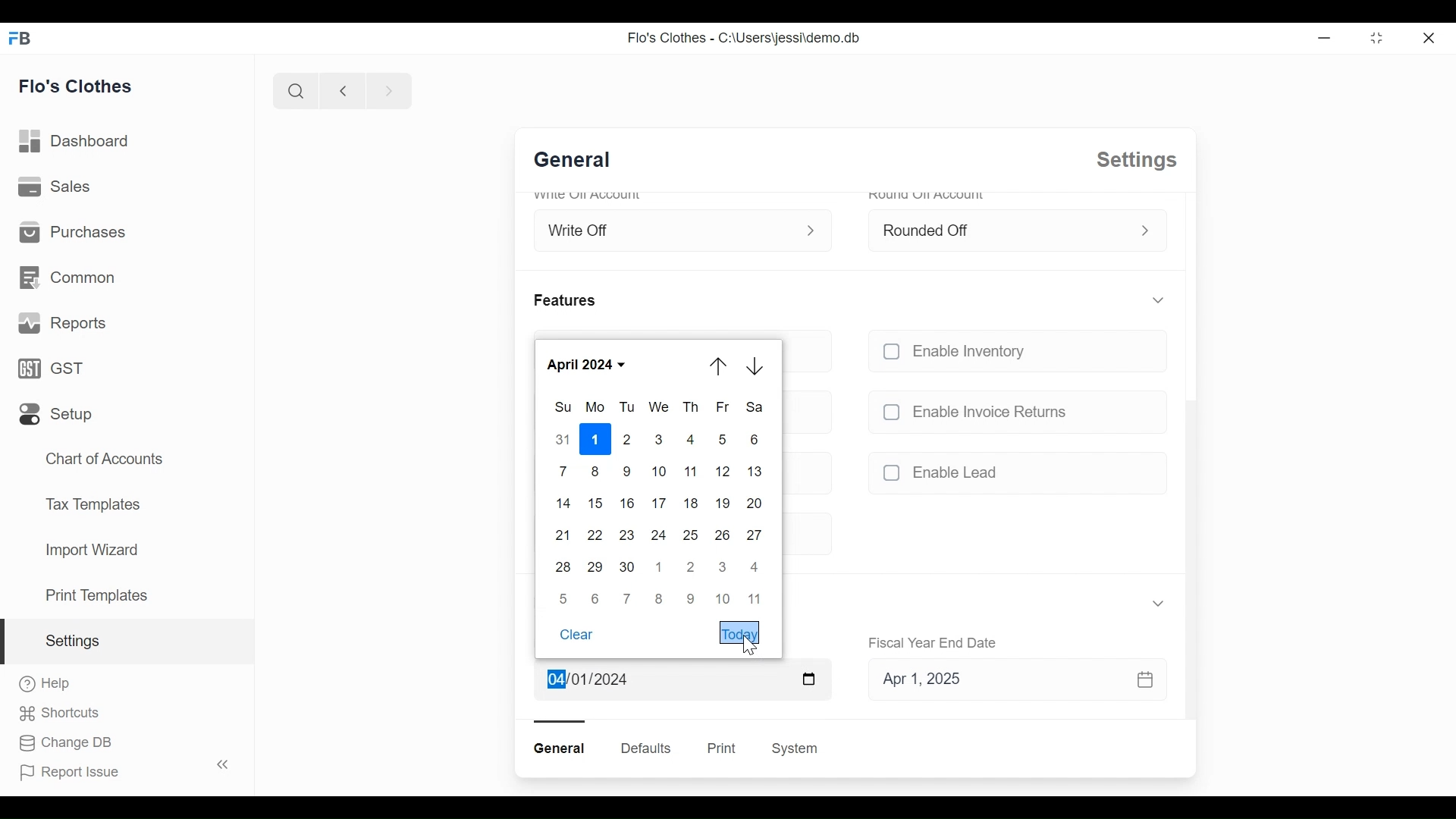 Image resolution: width=1456 pixels, height=819 pixels. Describe the element at coordinates (105, 457) in the screenshot. I see `Chart of Accounts` at that location.